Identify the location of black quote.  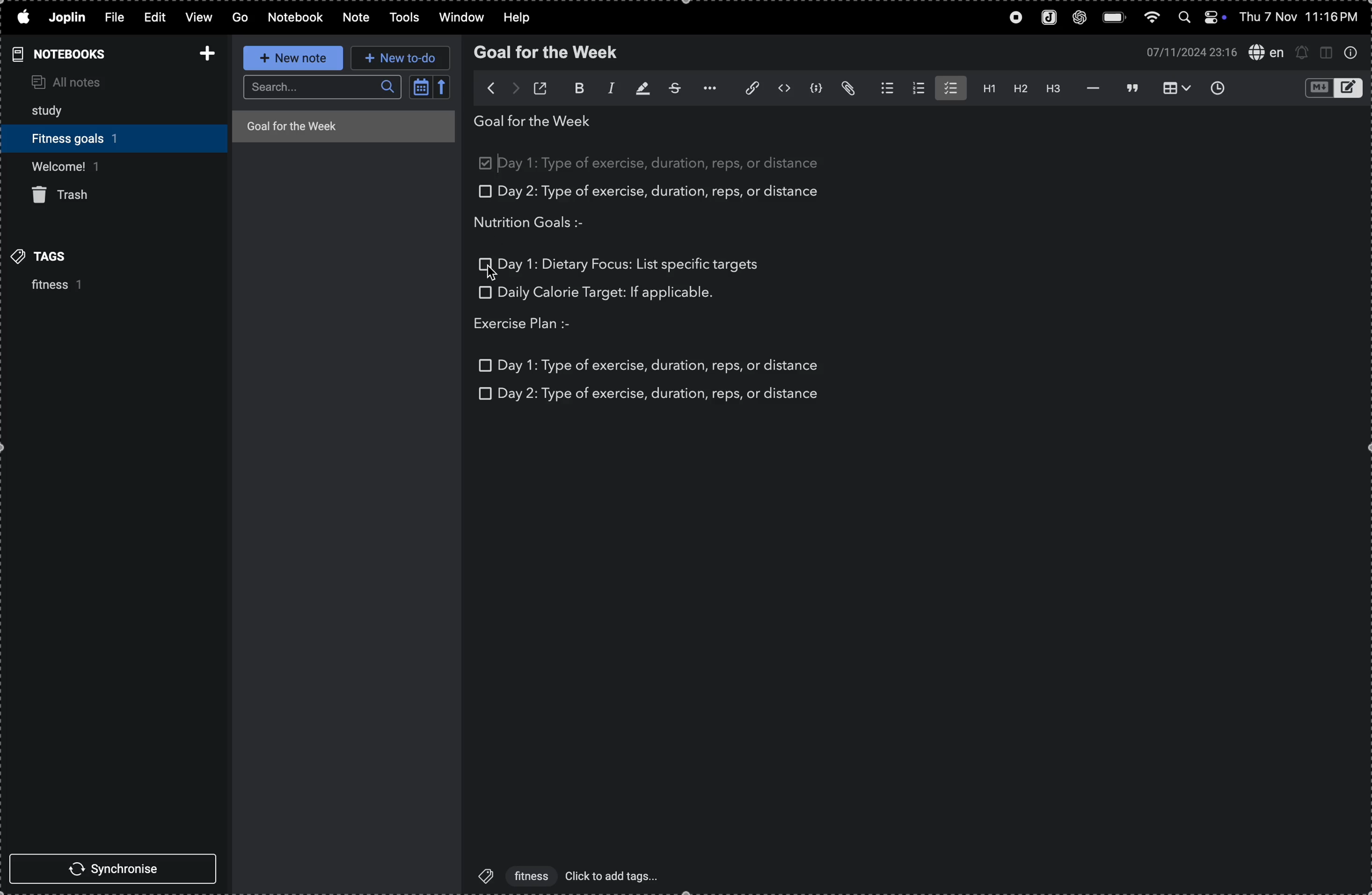
(1132, 87).